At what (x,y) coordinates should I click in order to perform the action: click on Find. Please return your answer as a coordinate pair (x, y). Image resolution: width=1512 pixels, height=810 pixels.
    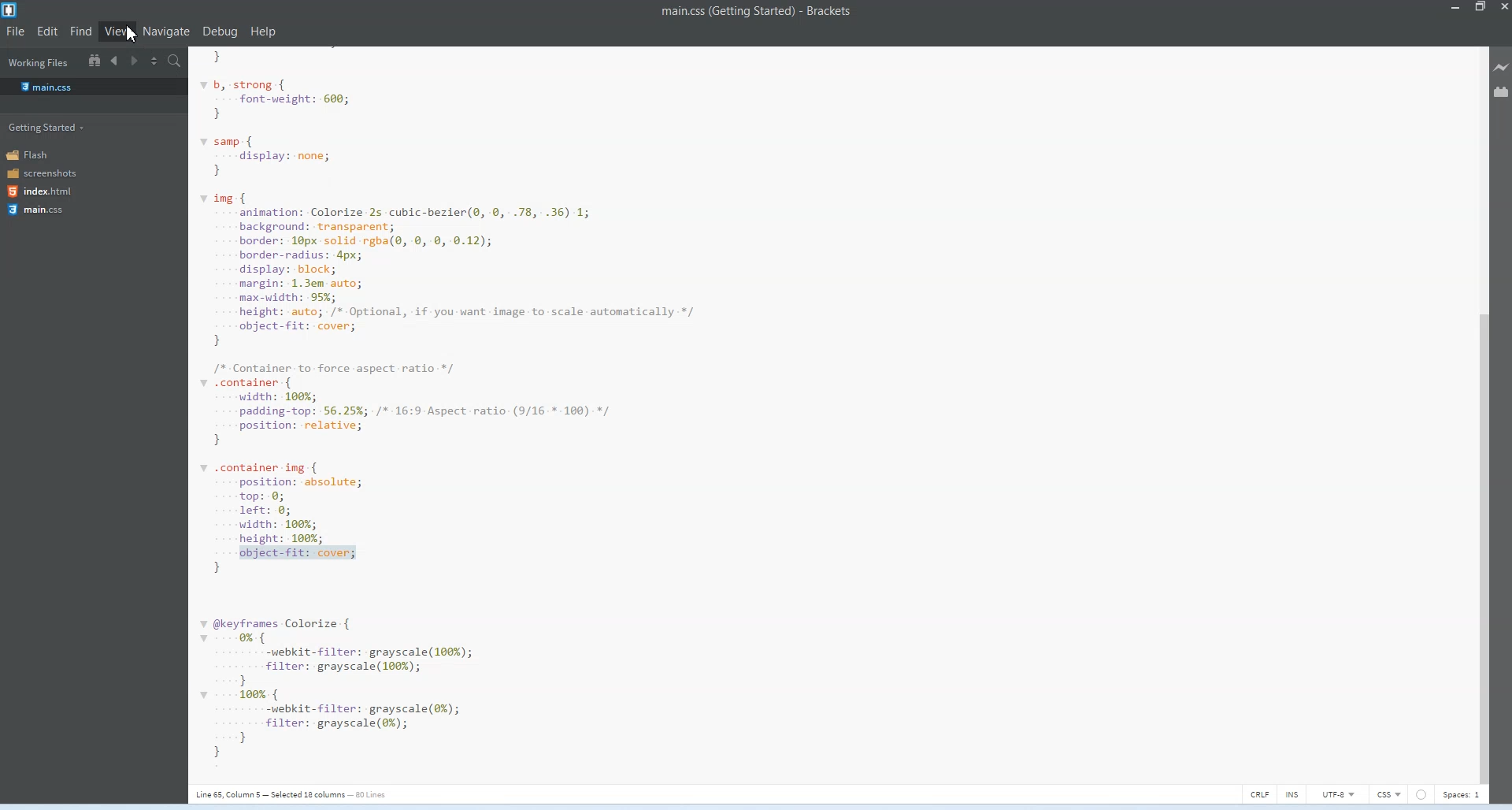
    Looking at the image, I should click on (80, 30).